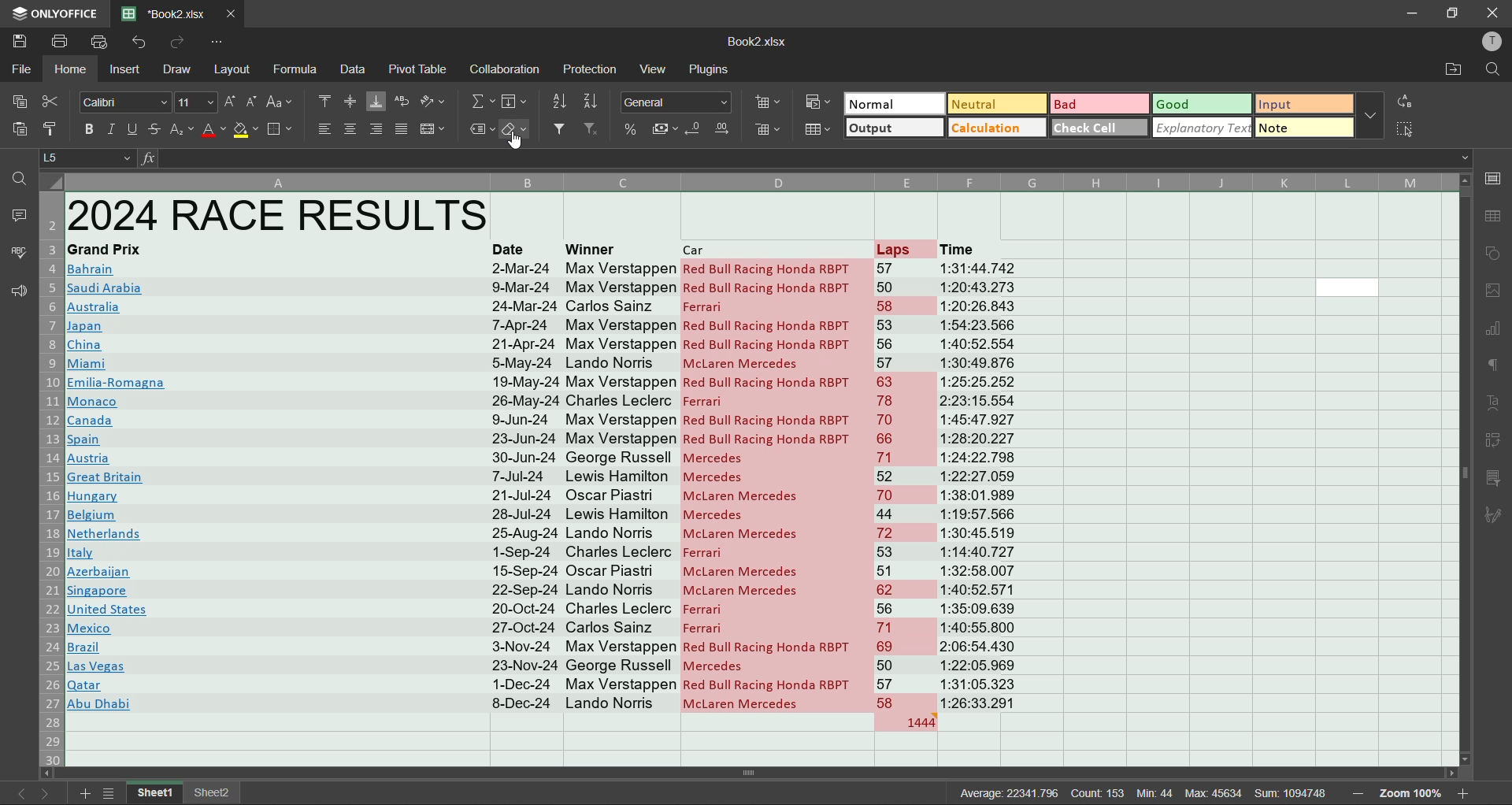 This screenshot has width=1512, height=805. What do you see at coordinates (590, 99) in the screenshot?
I see `sort descending` at bounding box center [590, 99].